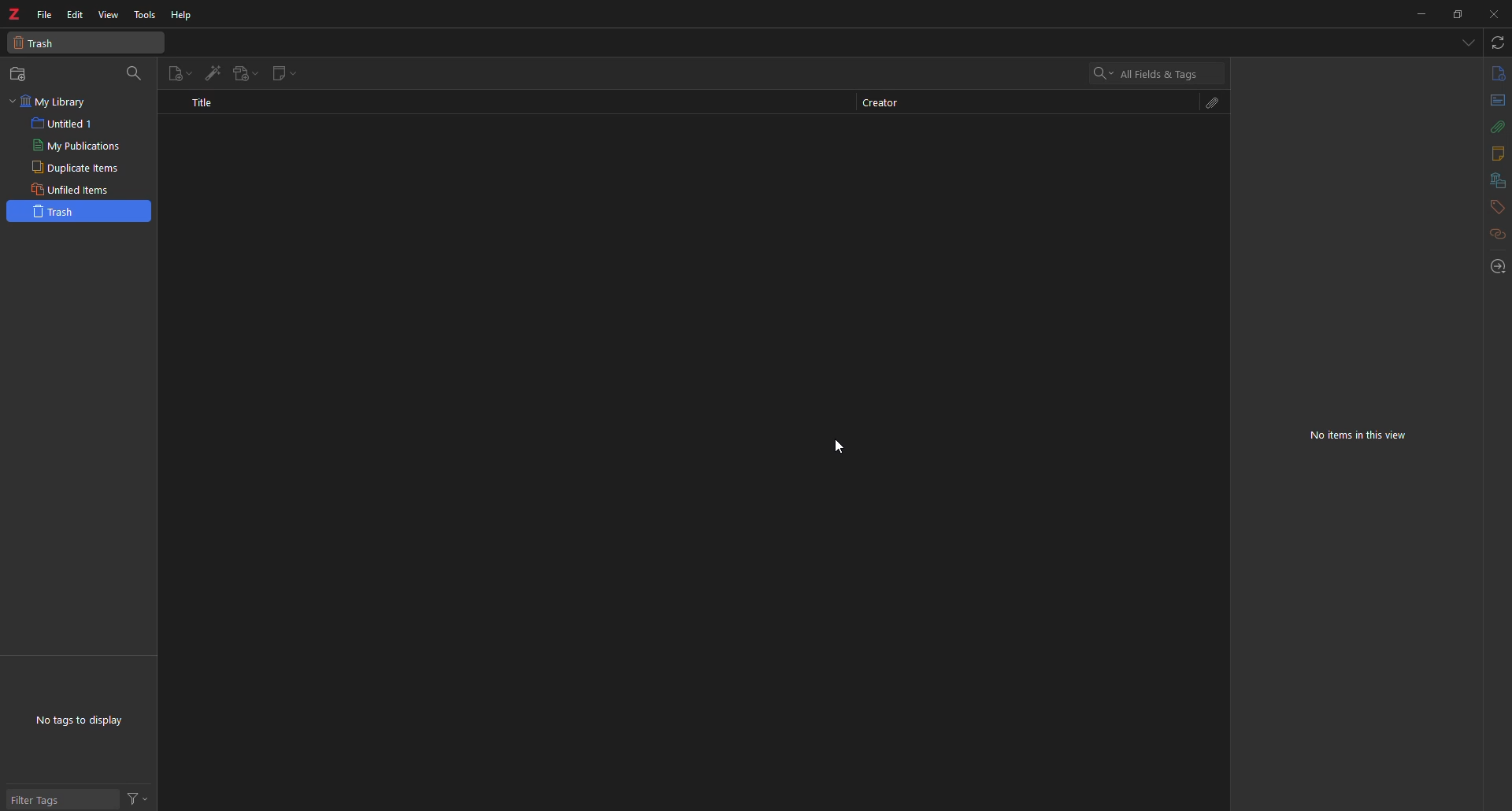  Describe the element at coordinates (1496, 206) in the screenshot. I see `tags` at that location.